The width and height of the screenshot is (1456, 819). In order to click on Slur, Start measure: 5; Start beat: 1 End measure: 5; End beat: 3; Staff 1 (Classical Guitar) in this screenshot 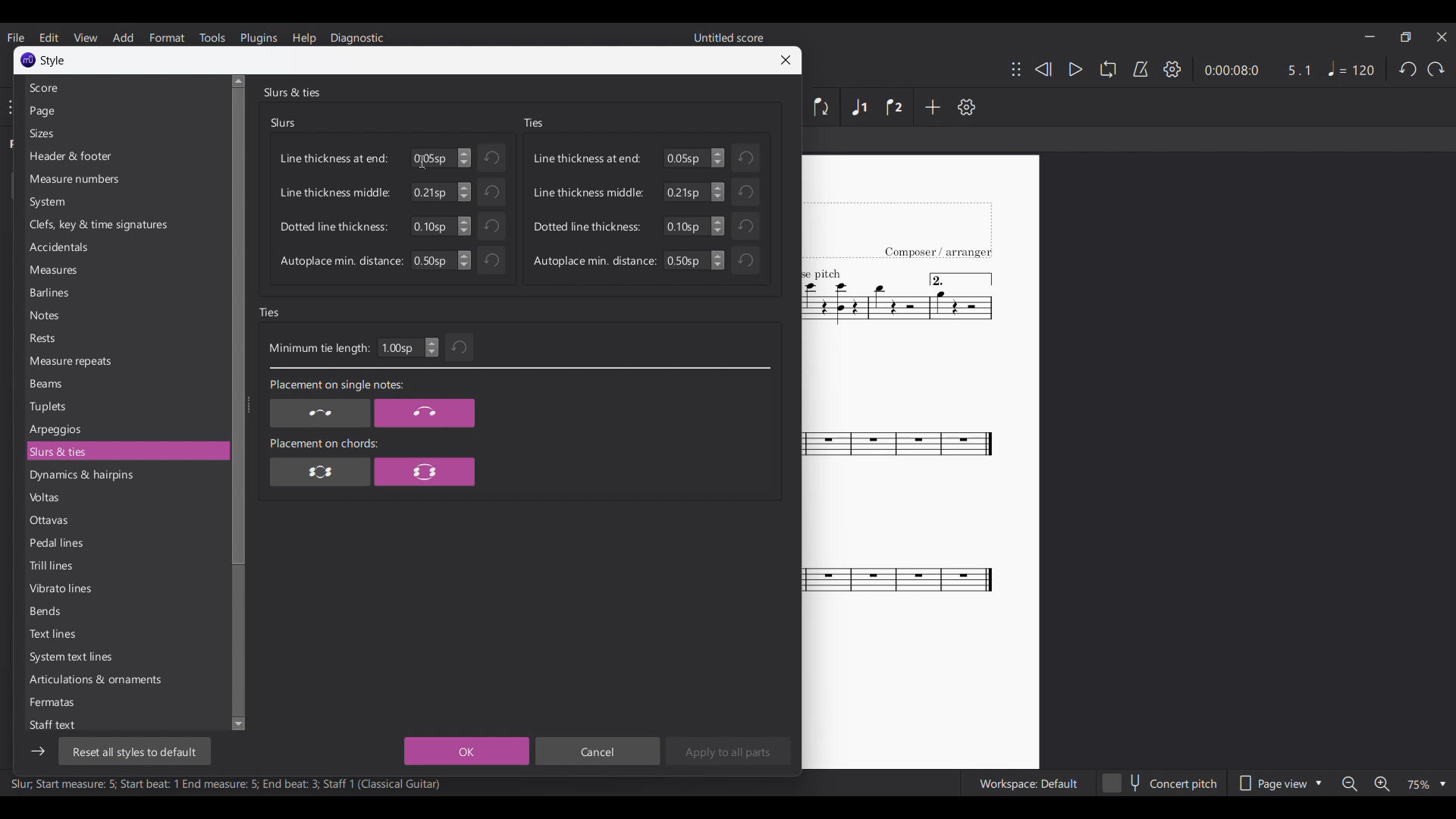, I will do `click(226, 786)`.